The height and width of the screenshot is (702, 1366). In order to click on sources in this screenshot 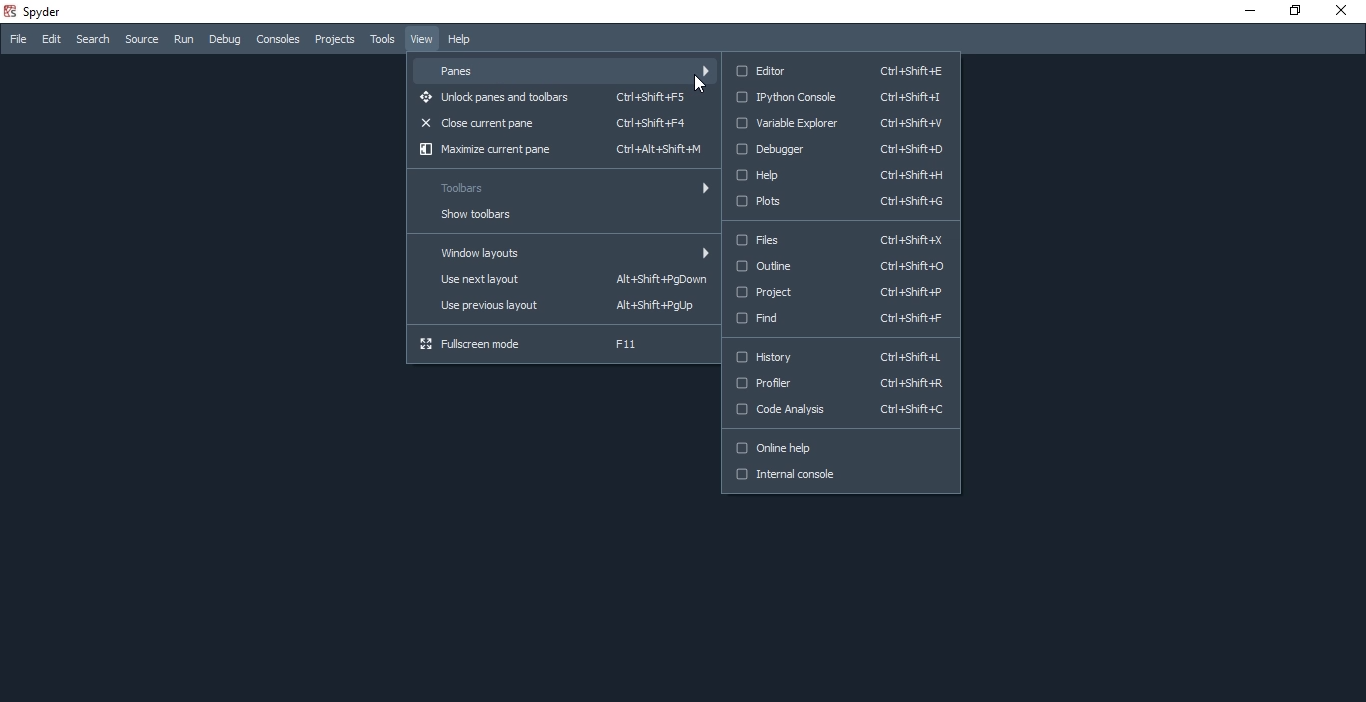, I will do `click(139, 39)`.